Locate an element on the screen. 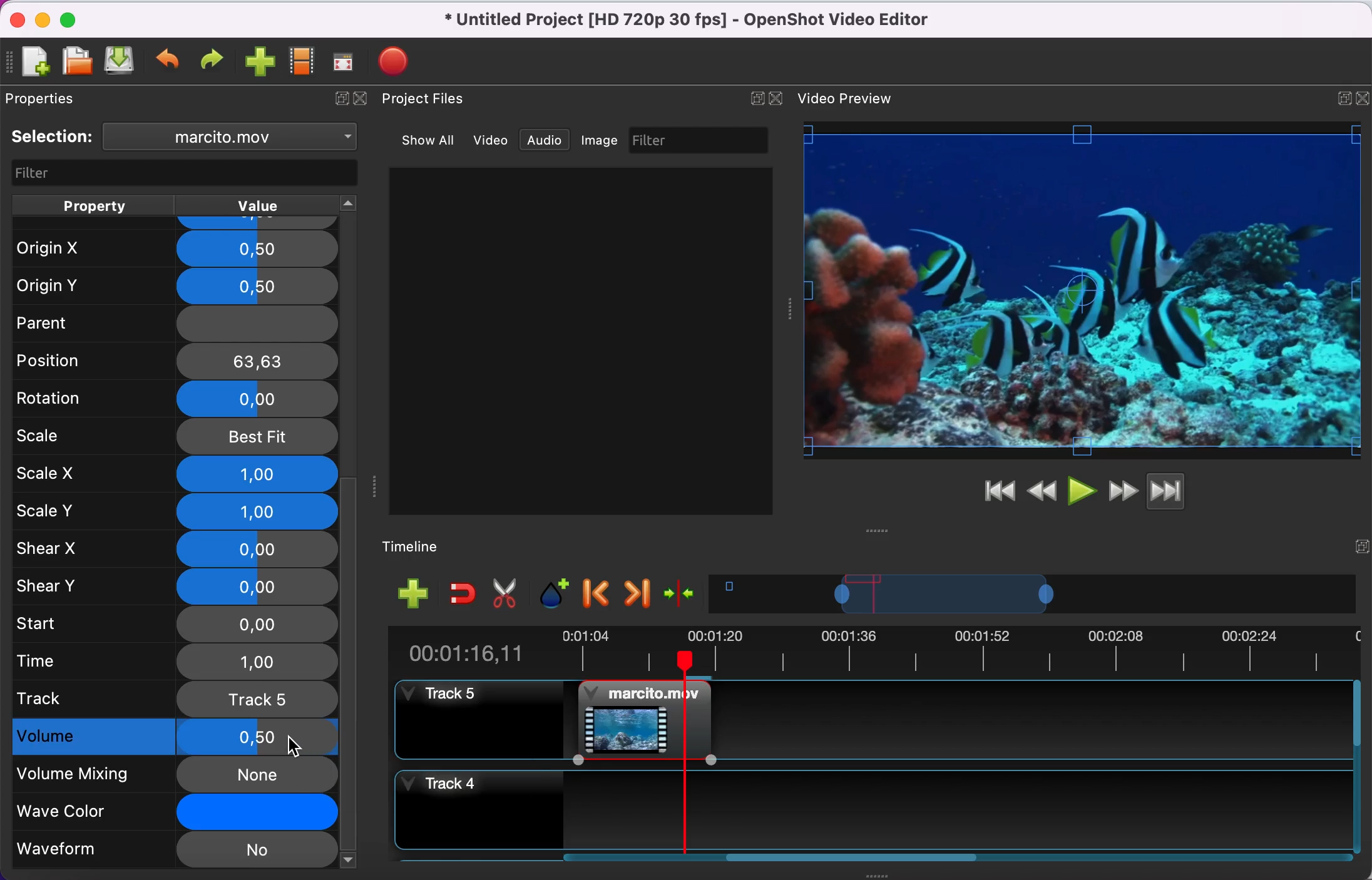 This screenshot has height=880, width=1372. shear x 0 is located at coordinates (175, 550).